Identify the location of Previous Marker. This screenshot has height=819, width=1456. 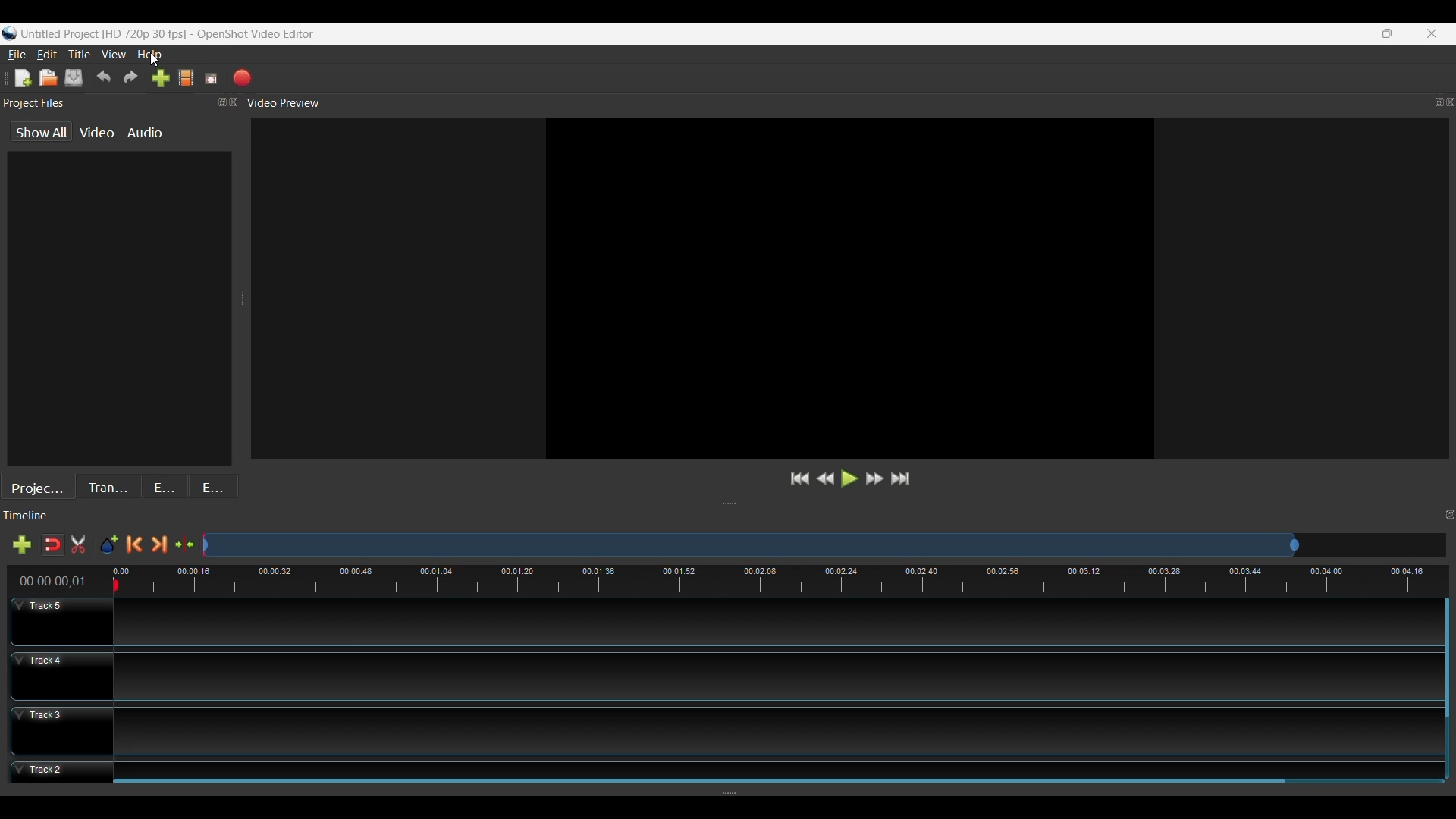
(134, 544).